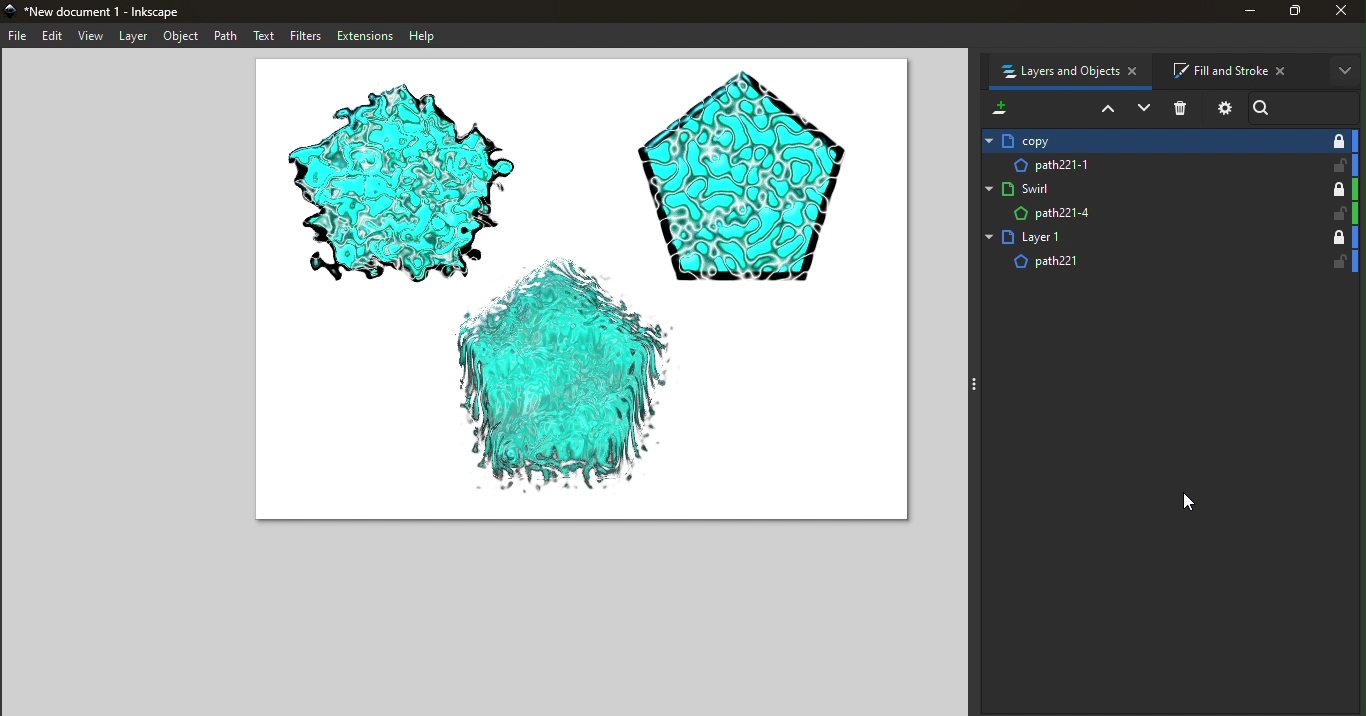  What do you see at coordinates (1343, 165) in the screenshot?
I see `lock/unlock layer` at bounding box center [1343, 165].